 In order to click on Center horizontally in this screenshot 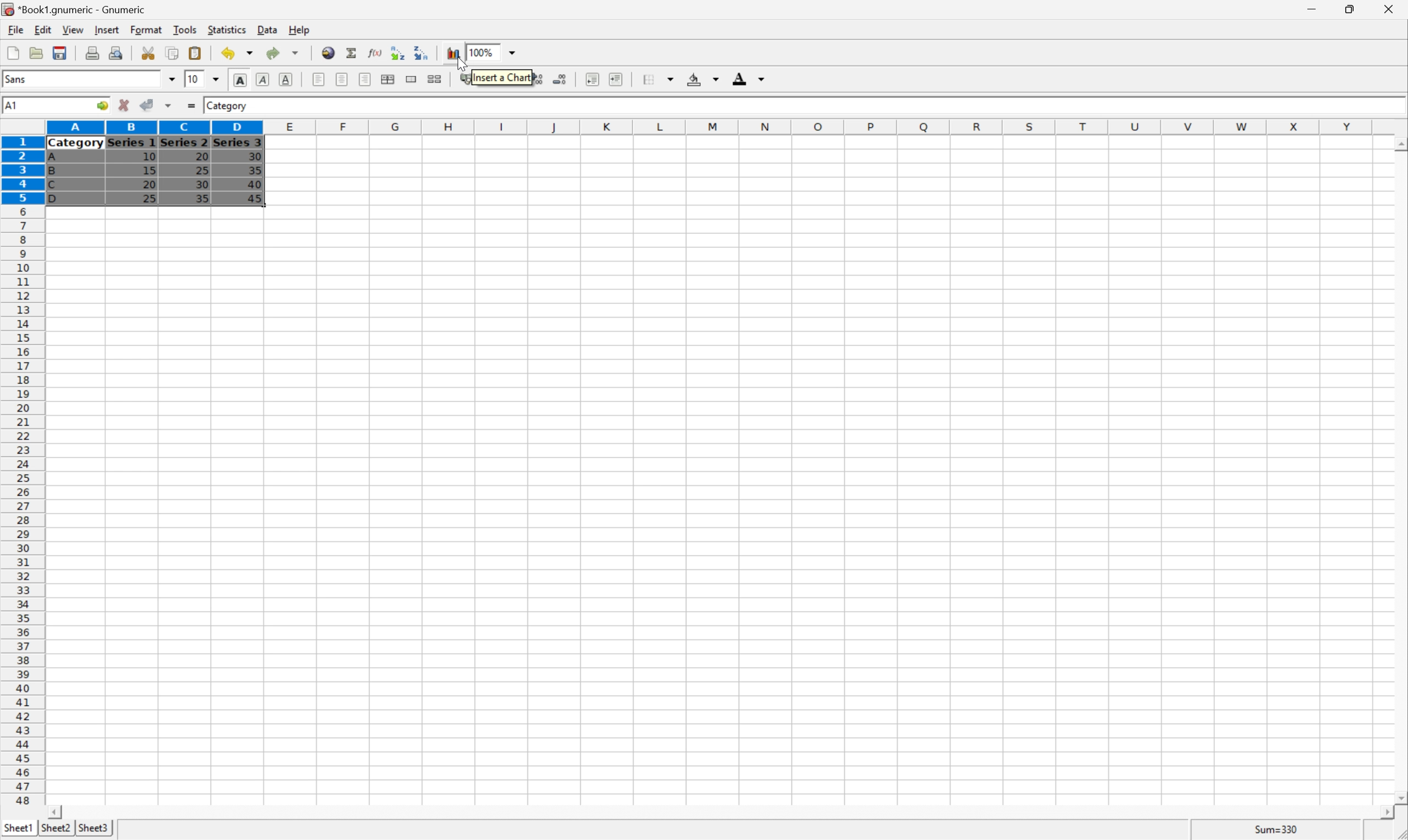, I will do `click(343, 78)`.